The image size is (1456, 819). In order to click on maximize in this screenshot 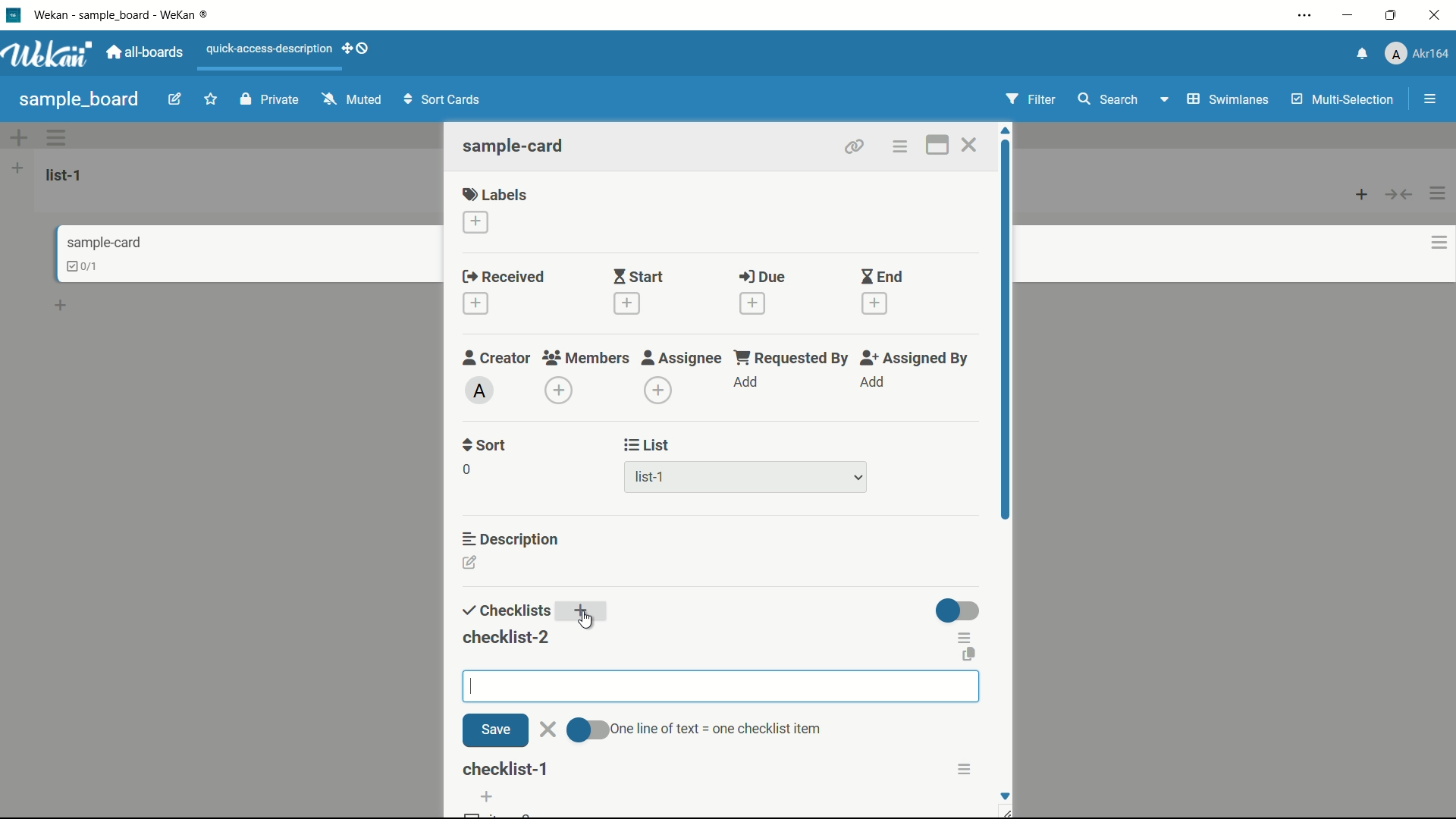, I will do `click(1393, 16)`.